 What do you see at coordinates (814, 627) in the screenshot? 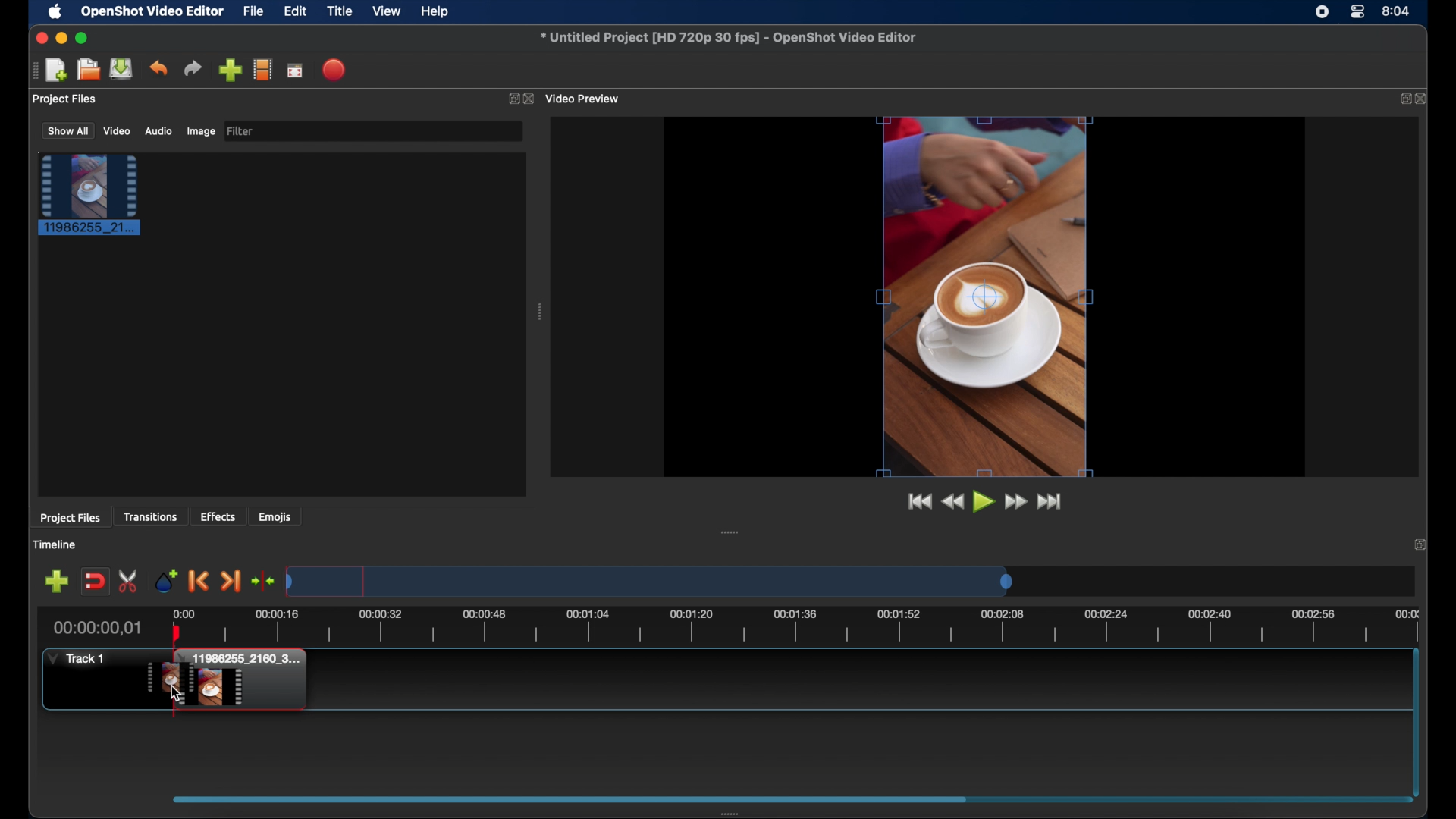
I see `timeline ` at bounding box center [814, 627].